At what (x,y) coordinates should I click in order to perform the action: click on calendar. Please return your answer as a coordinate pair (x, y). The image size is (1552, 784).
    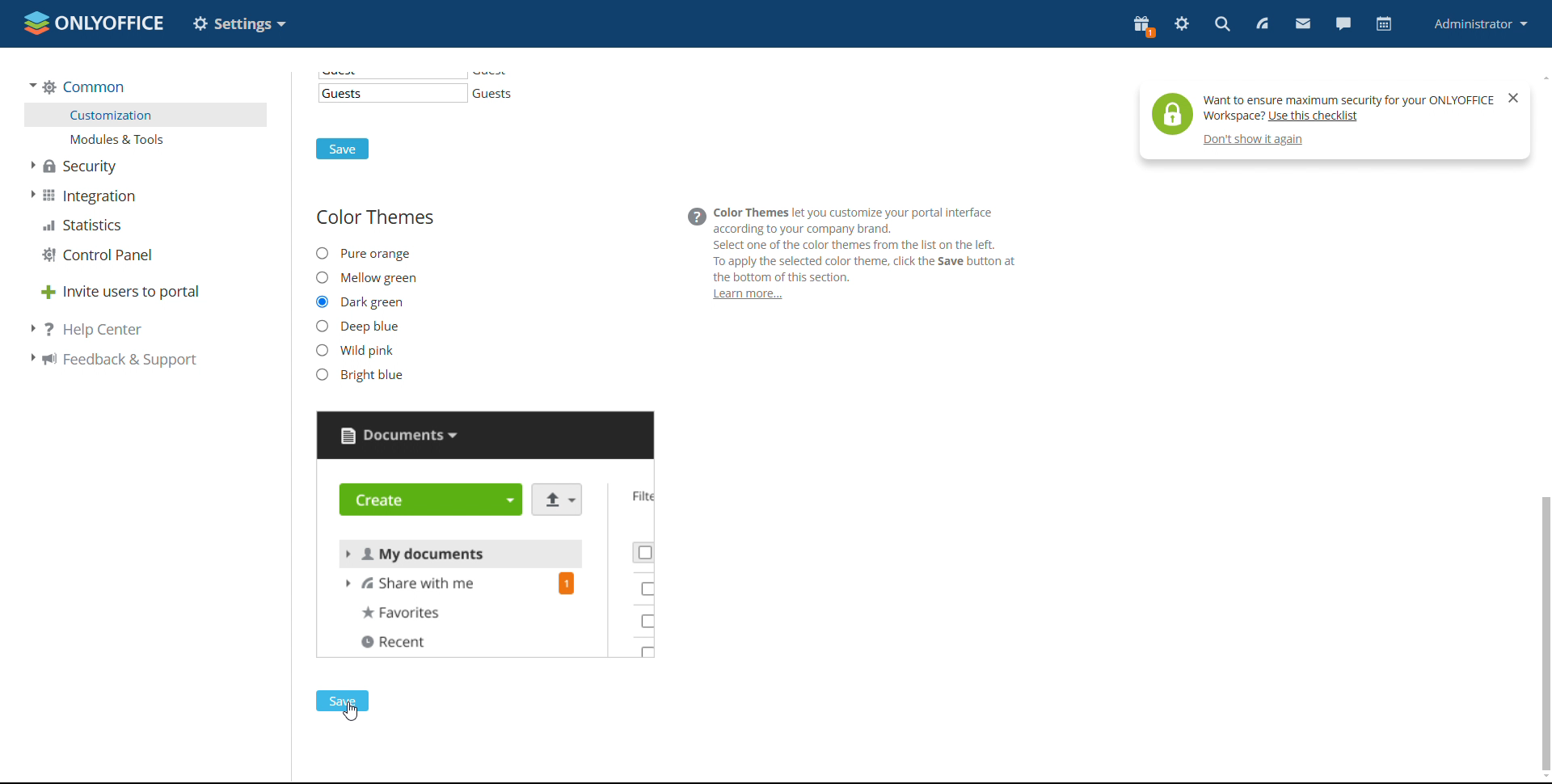
    Looking at the image, I should click on (1382, 27).